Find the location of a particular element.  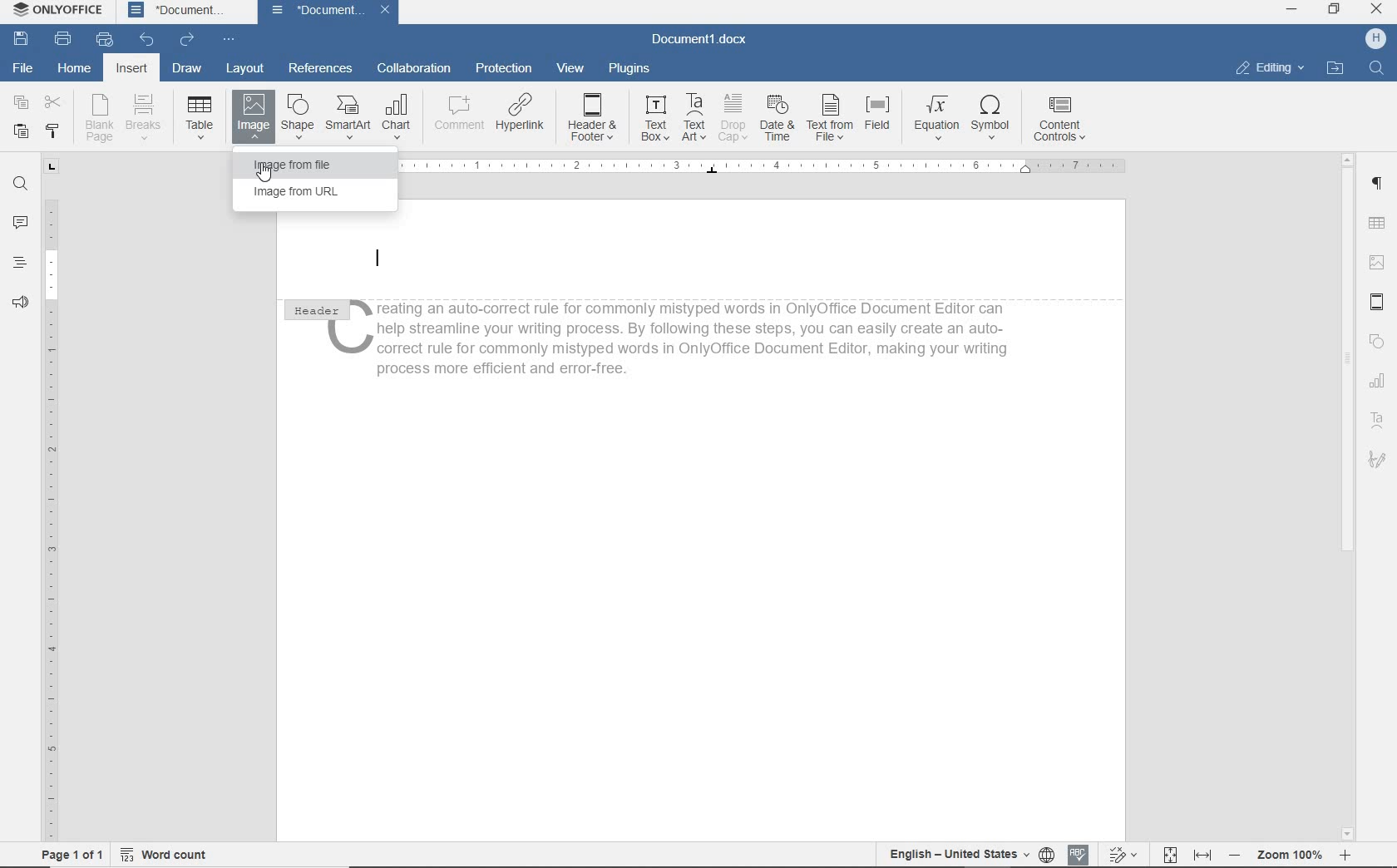

FEEDBACK & SUPPORT is located at coordinates (21, 300).